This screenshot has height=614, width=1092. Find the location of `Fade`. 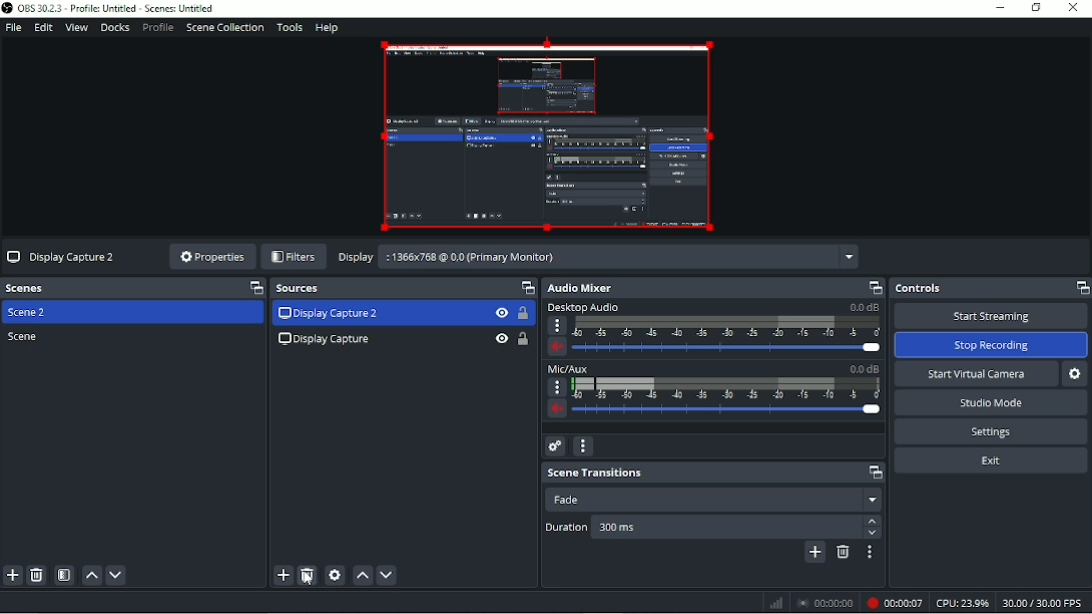

Fade is located at coordinates (713, 499).